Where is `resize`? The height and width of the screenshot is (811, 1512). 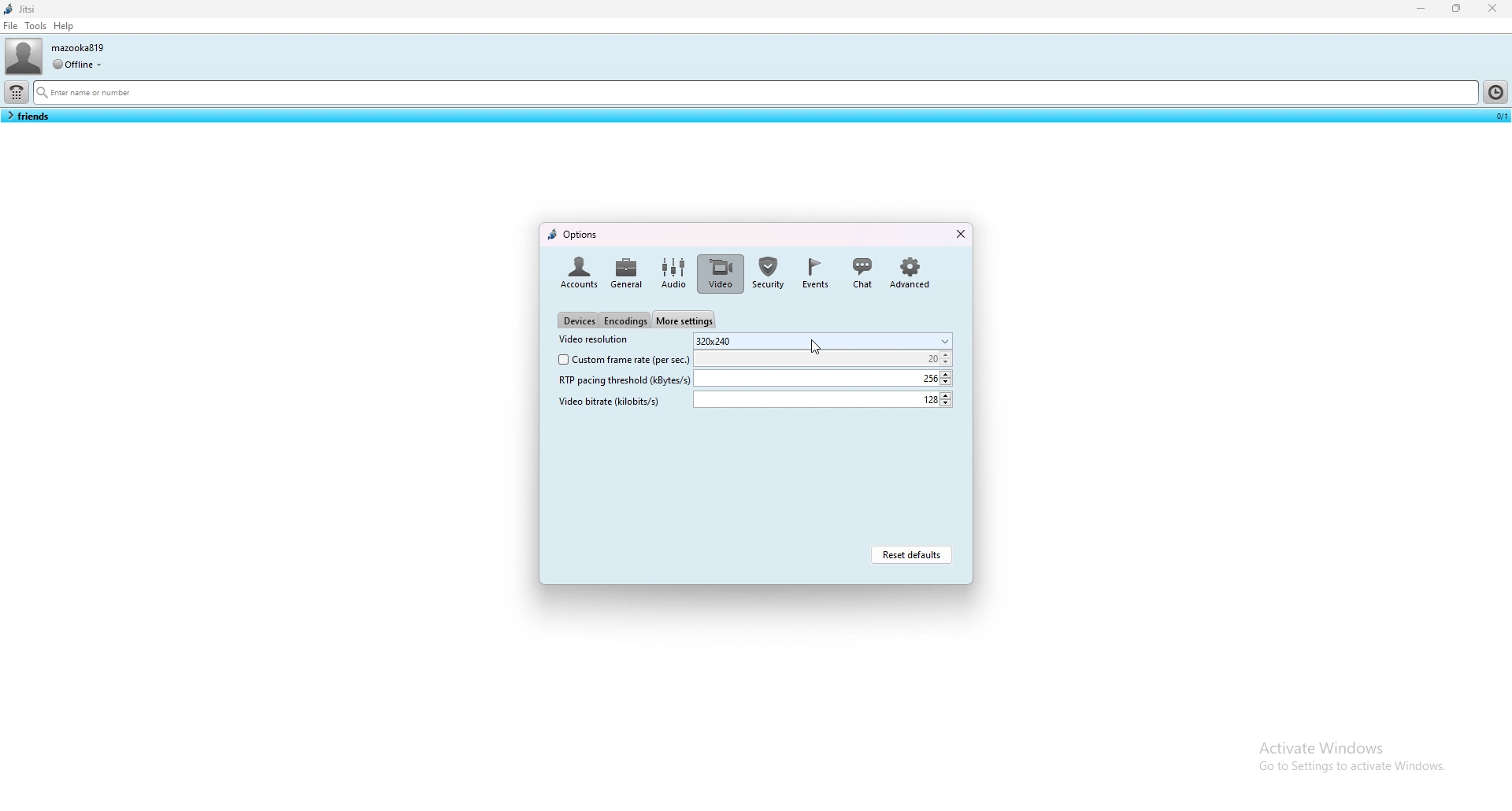 resize is located at coordinates (1458, 9).